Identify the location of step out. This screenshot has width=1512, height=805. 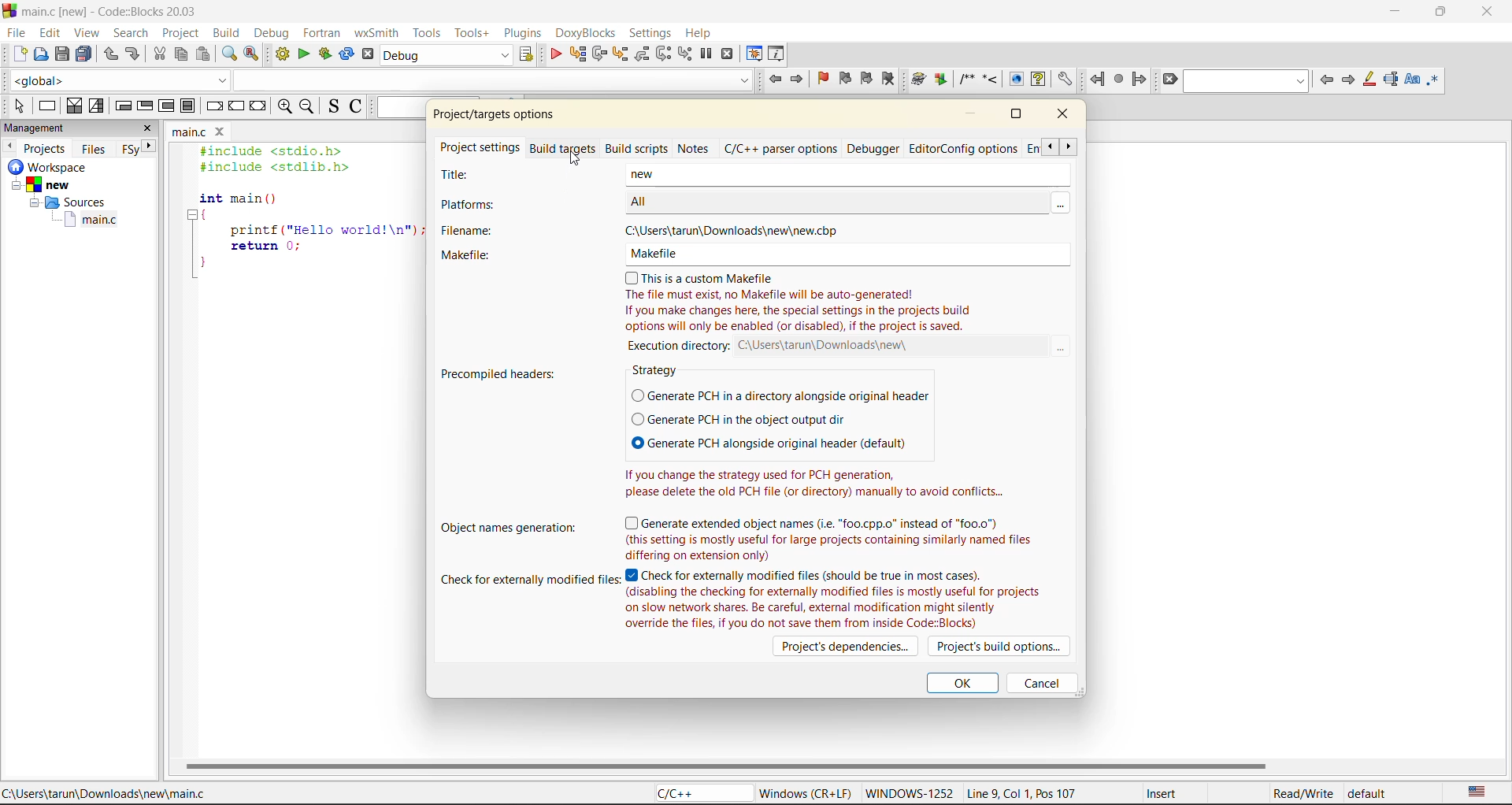
(643, 54).